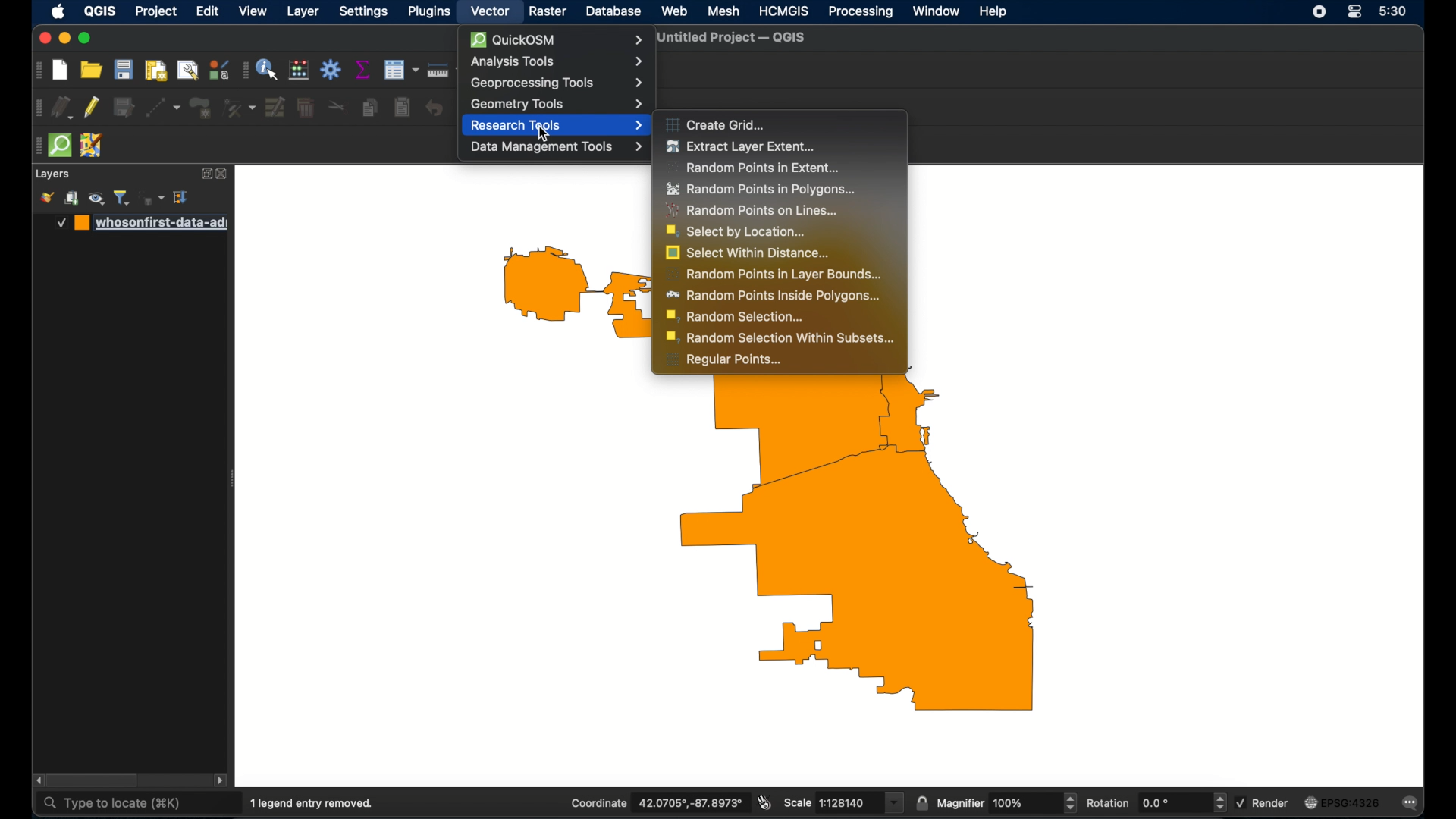 Image resolution: width=1456 pixels, height=819 pixels. I want to click on modify attributes, so click(275, 106).